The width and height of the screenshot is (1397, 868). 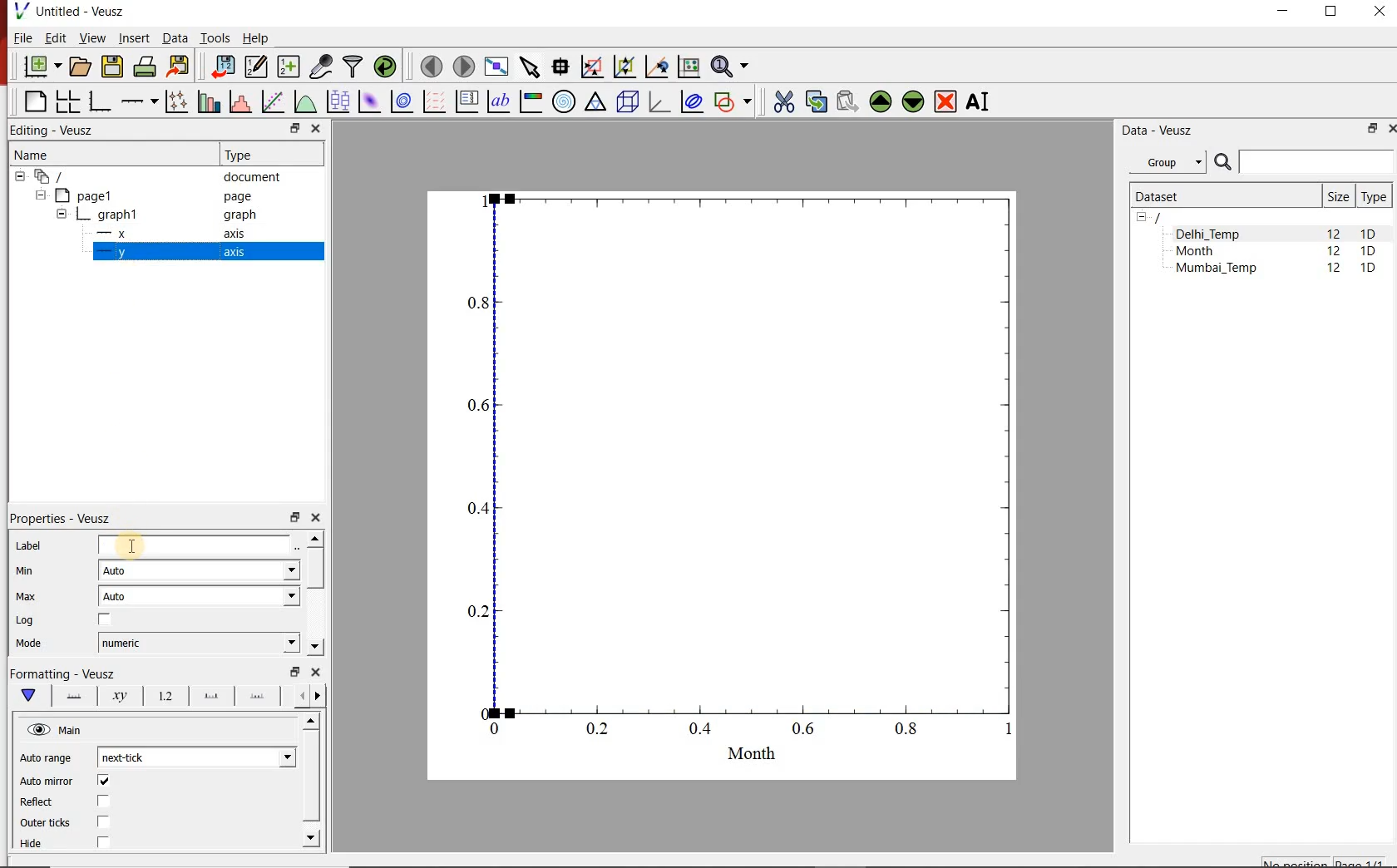 What do you see at coordinates (256, 37) in the screenshot?
I see `Help` at bounding box center [256, 37].